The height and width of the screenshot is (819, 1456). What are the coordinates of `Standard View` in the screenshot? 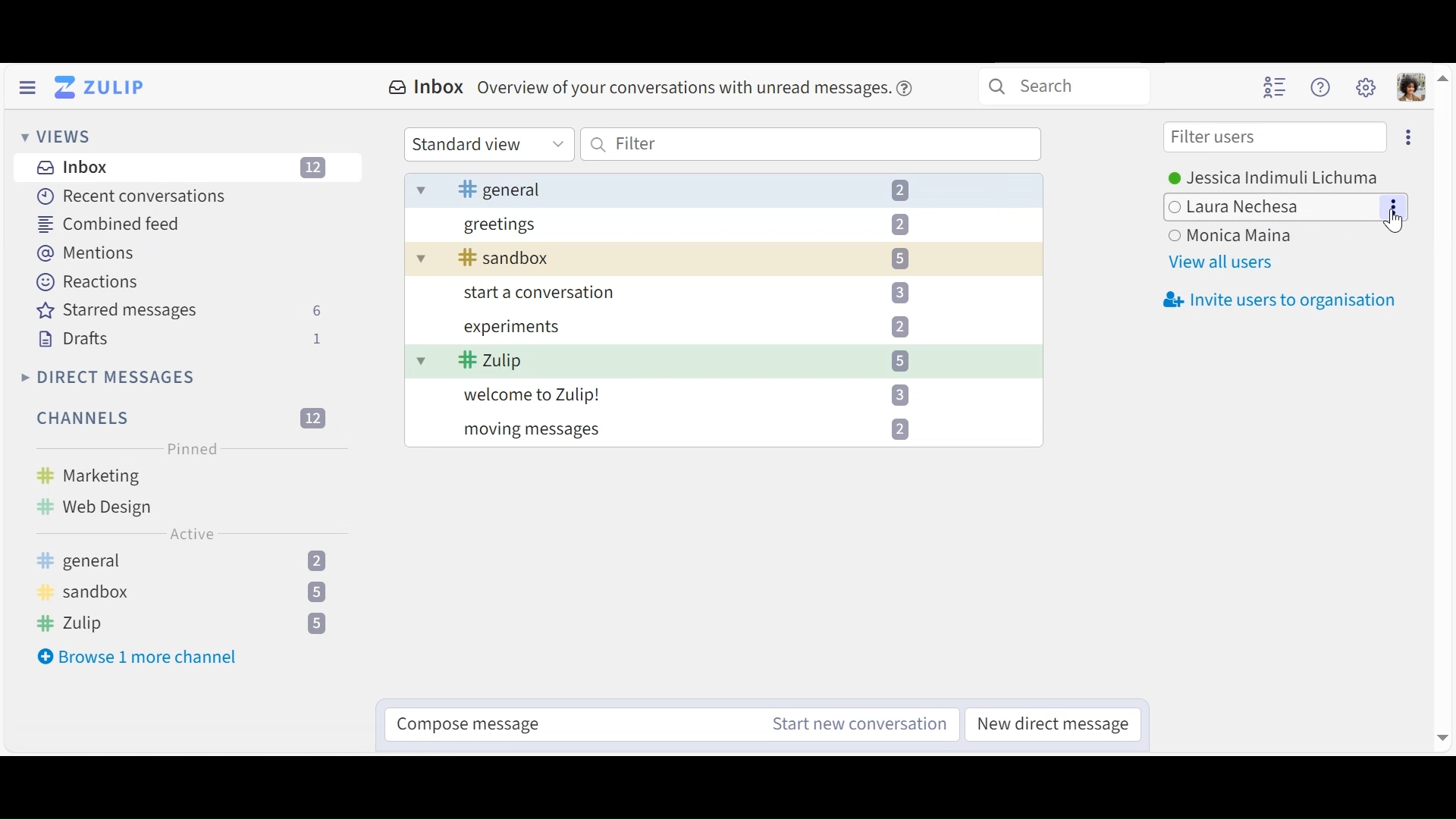 It's located at (489, 143).